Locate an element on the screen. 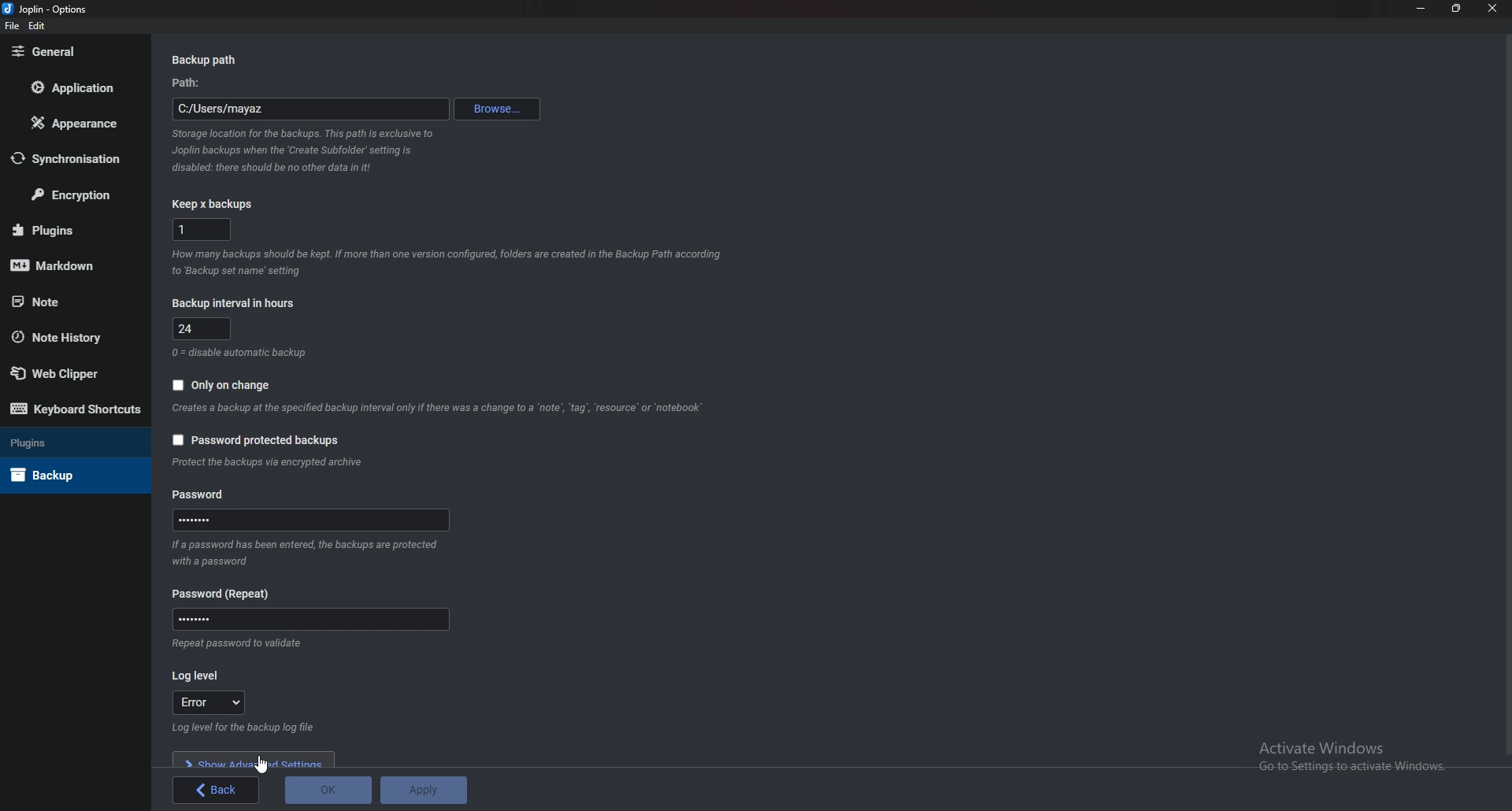 This screenshot has height=811, width=1512. Keep x backups is located at coordinates (218, 205).